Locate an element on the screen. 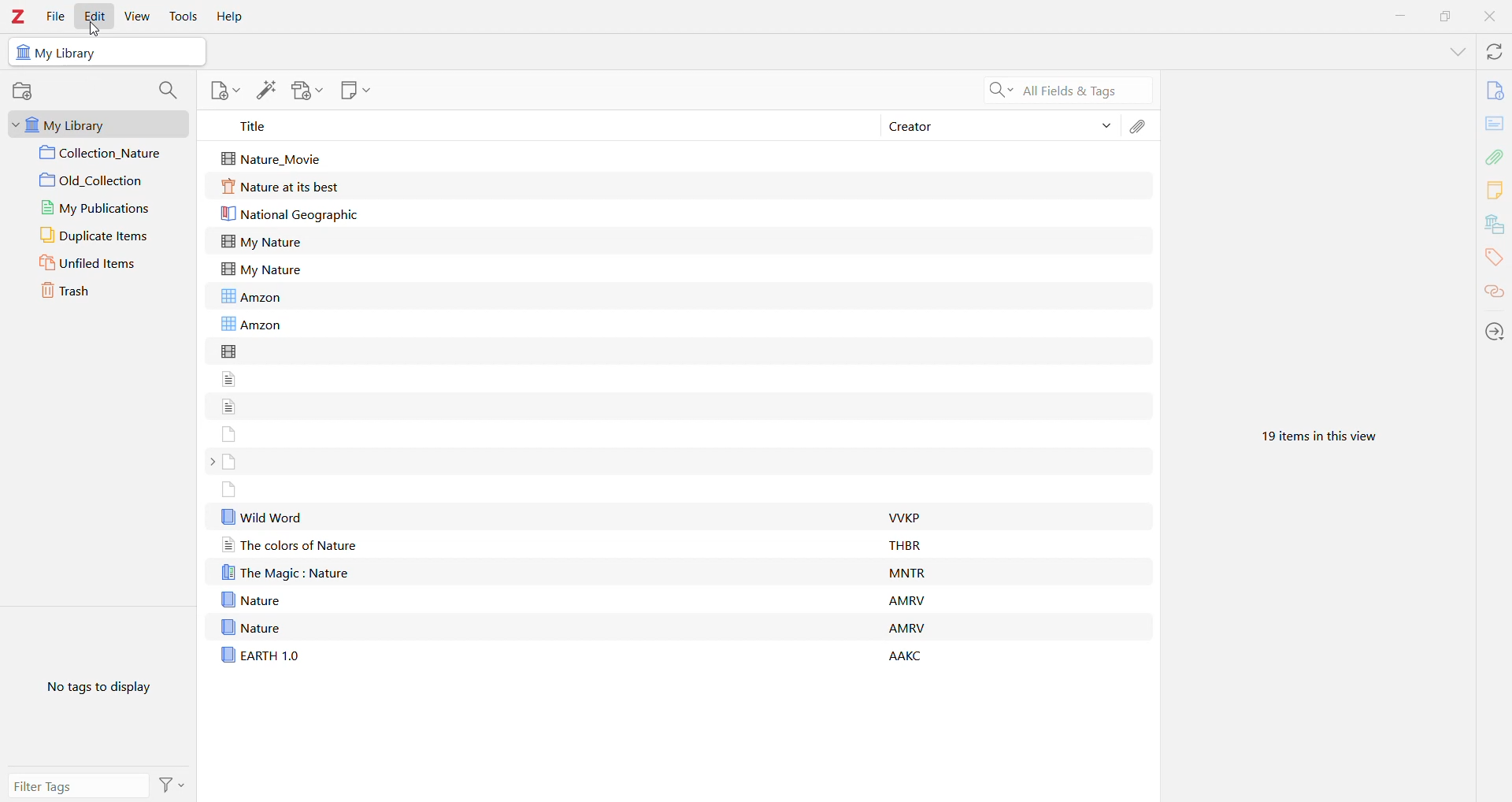 The image size is (1512, 802). THBR is located at coordinates (905, 545).